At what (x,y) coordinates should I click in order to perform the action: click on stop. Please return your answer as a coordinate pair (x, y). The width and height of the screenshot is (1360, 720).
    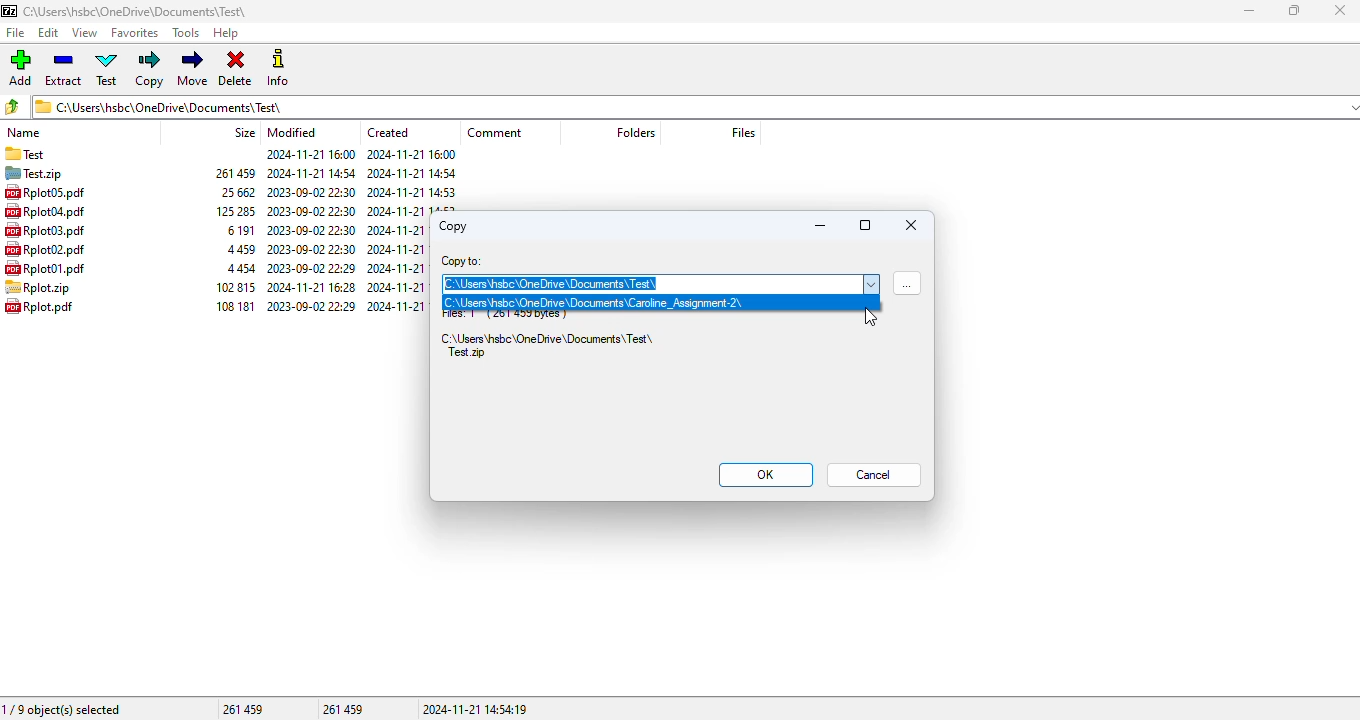
    Looking at the image, I should click on (910, 223).